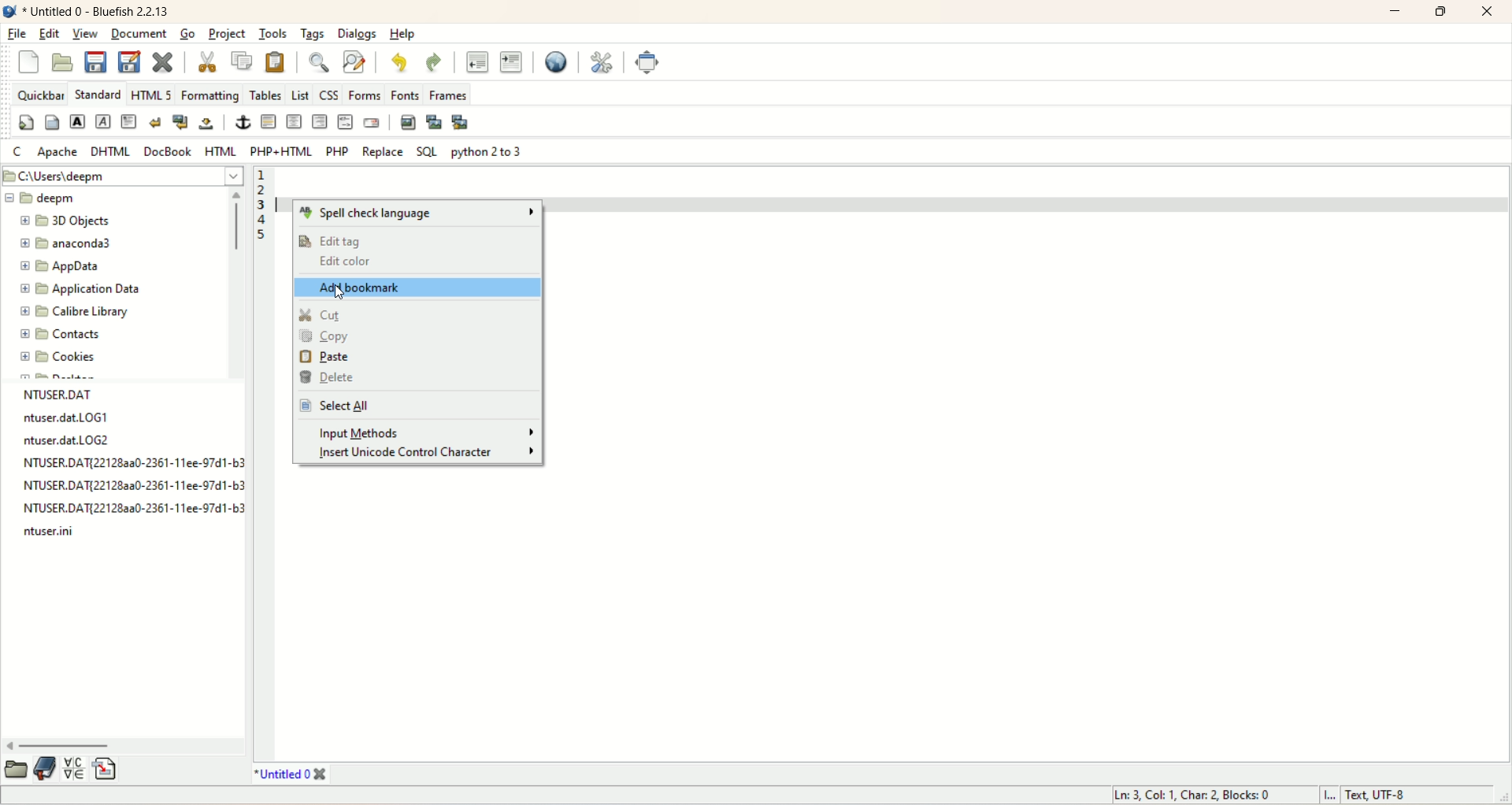  What do you see at coordinates (53, 123) in the screenshot?
I see `body` at bounding box center [53, 123].